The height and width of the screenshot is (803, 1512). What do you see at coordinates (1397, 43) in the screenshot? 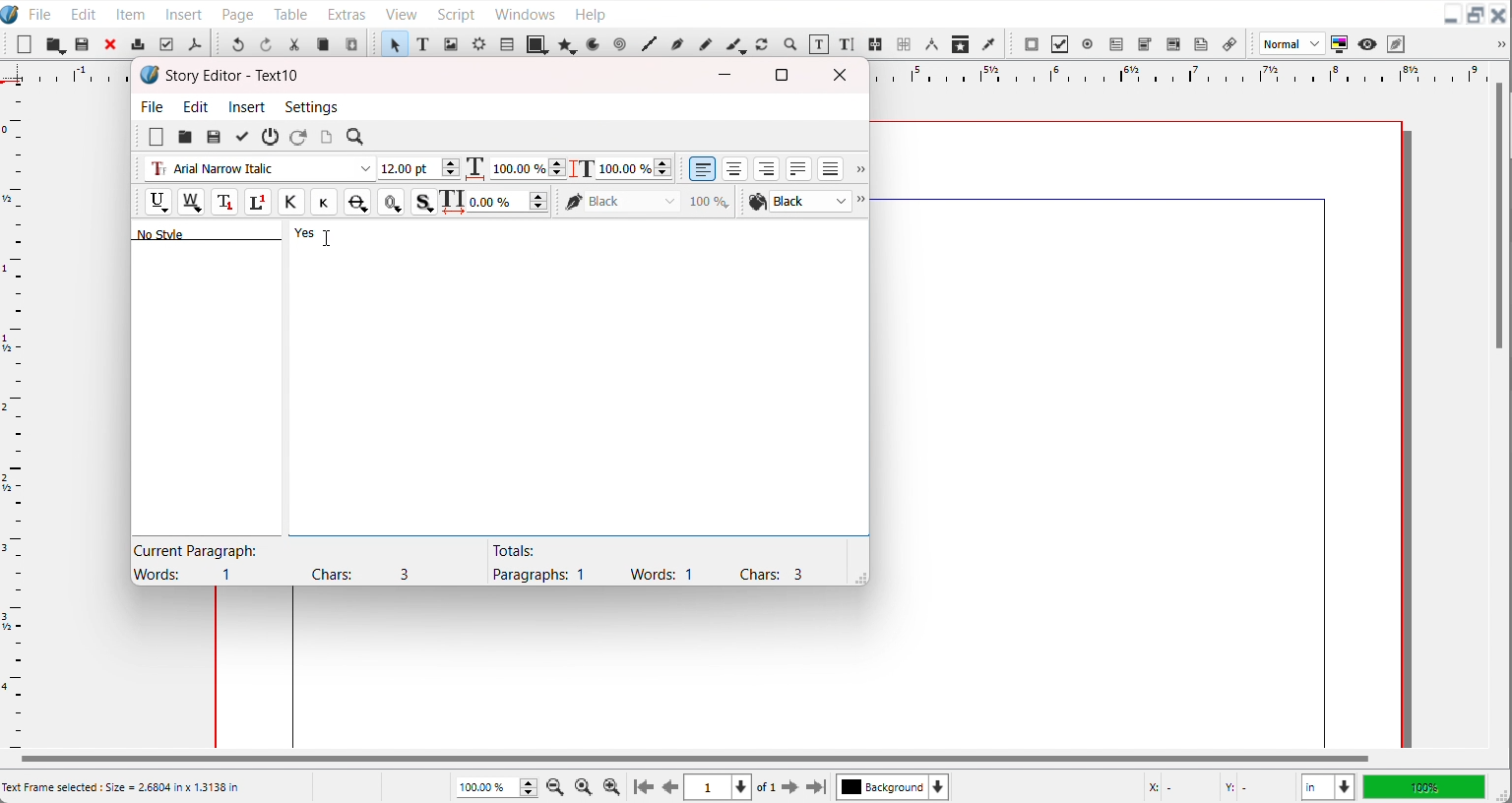
I see `Edit in preview mode` at bounding box center [1397, 43].